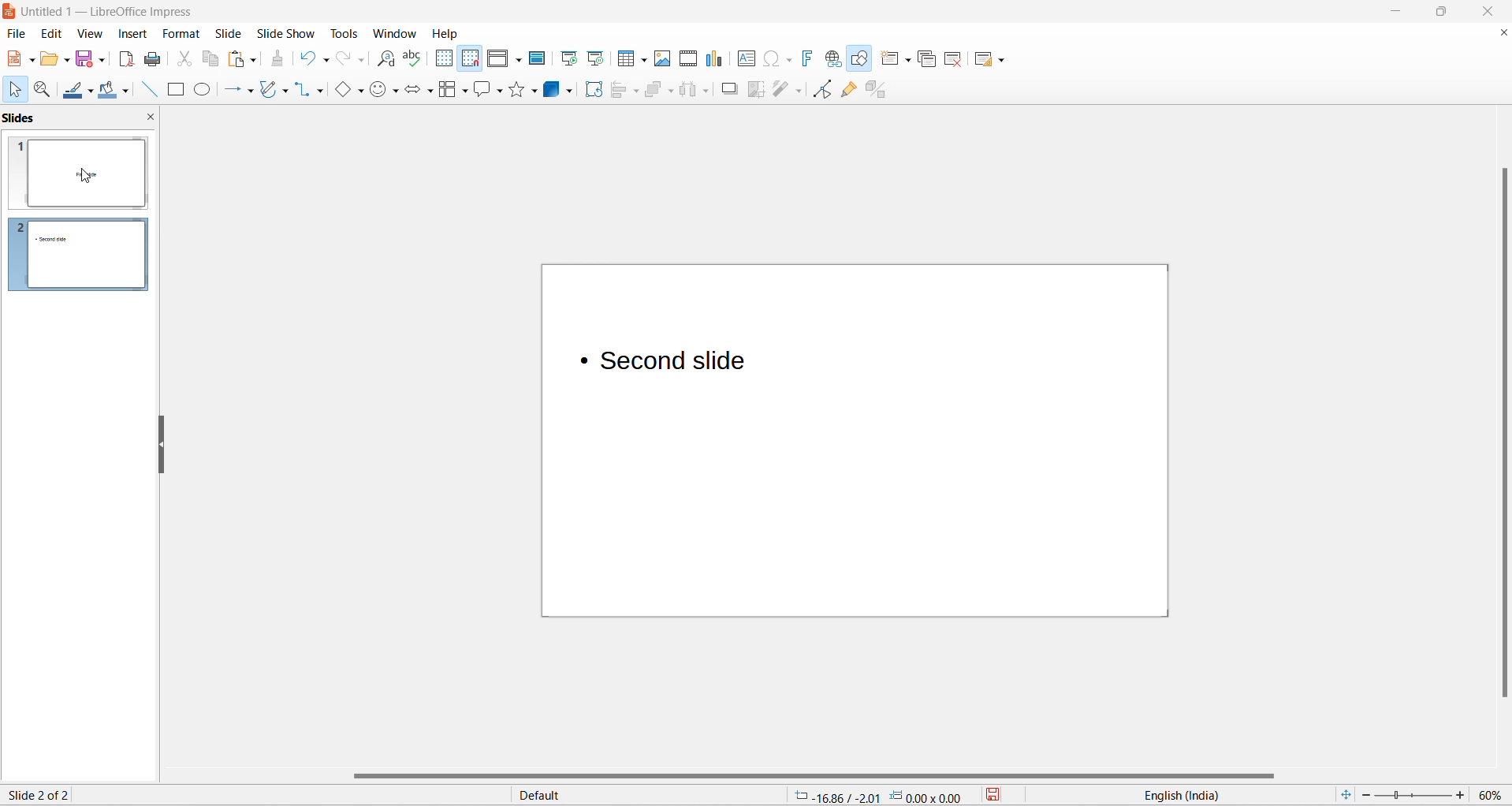 This screenshot has width=1512, height=806. I want to click on new slide, so click(890, 62).